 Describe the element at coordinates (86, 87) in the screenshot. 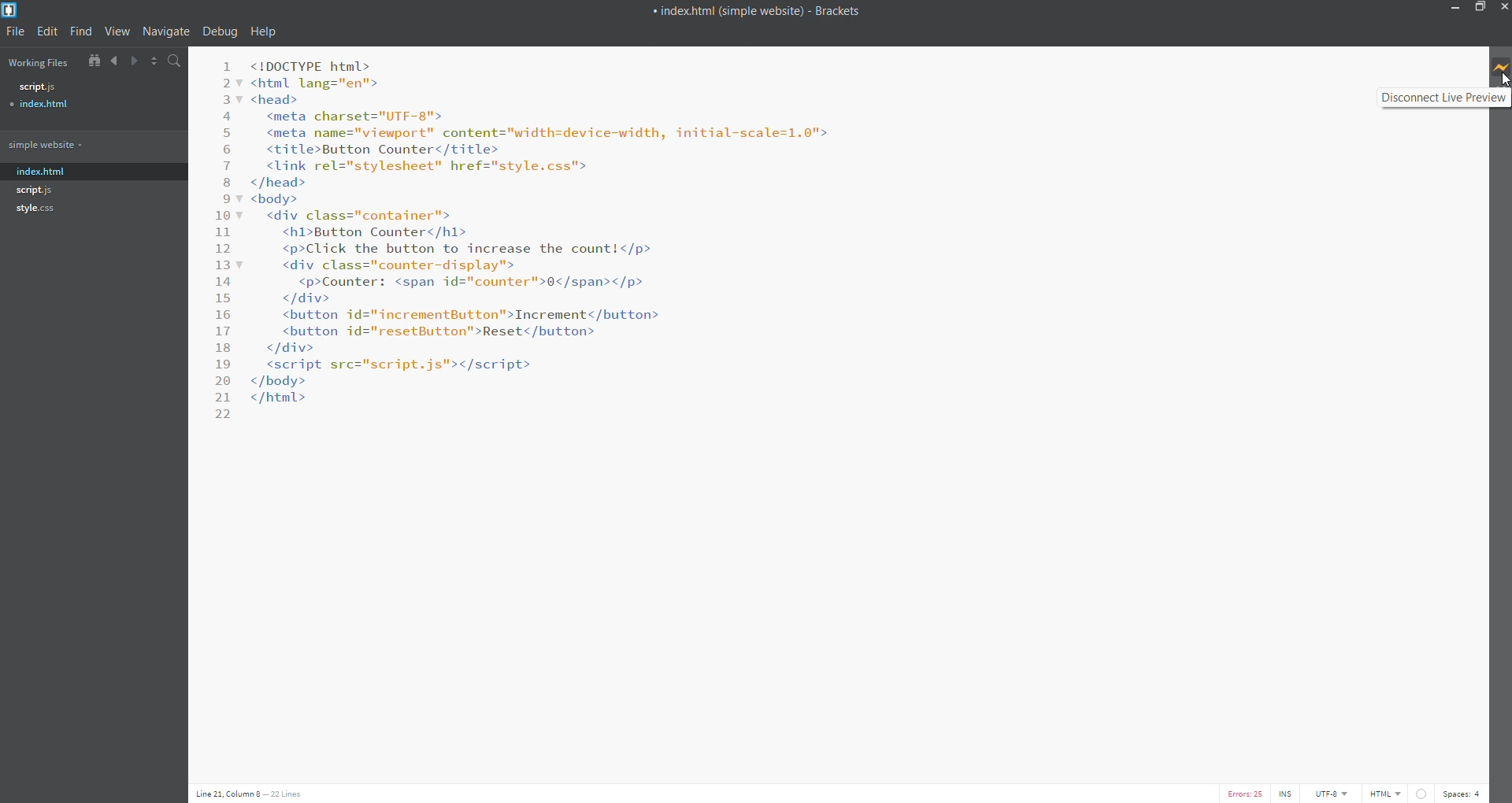

I see `script..js` at that location.